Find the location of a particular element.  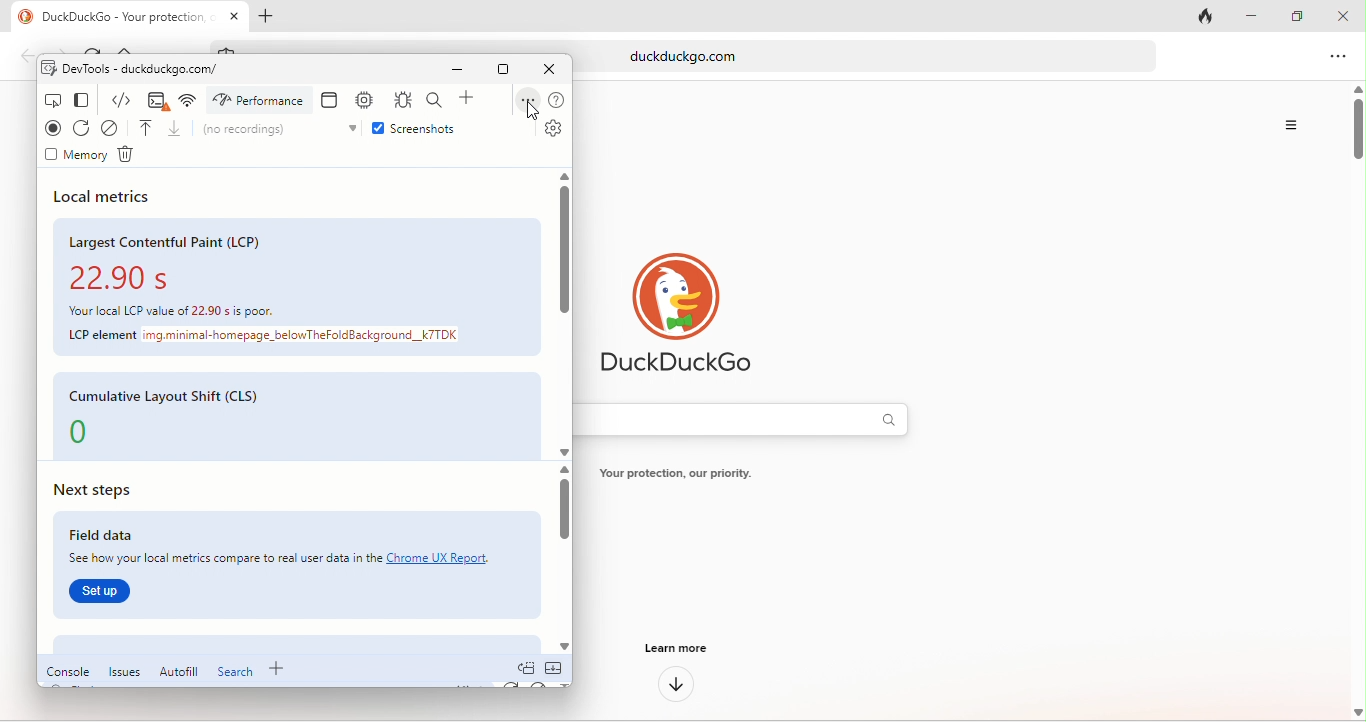

refresh is located at coordinates (84, 129).